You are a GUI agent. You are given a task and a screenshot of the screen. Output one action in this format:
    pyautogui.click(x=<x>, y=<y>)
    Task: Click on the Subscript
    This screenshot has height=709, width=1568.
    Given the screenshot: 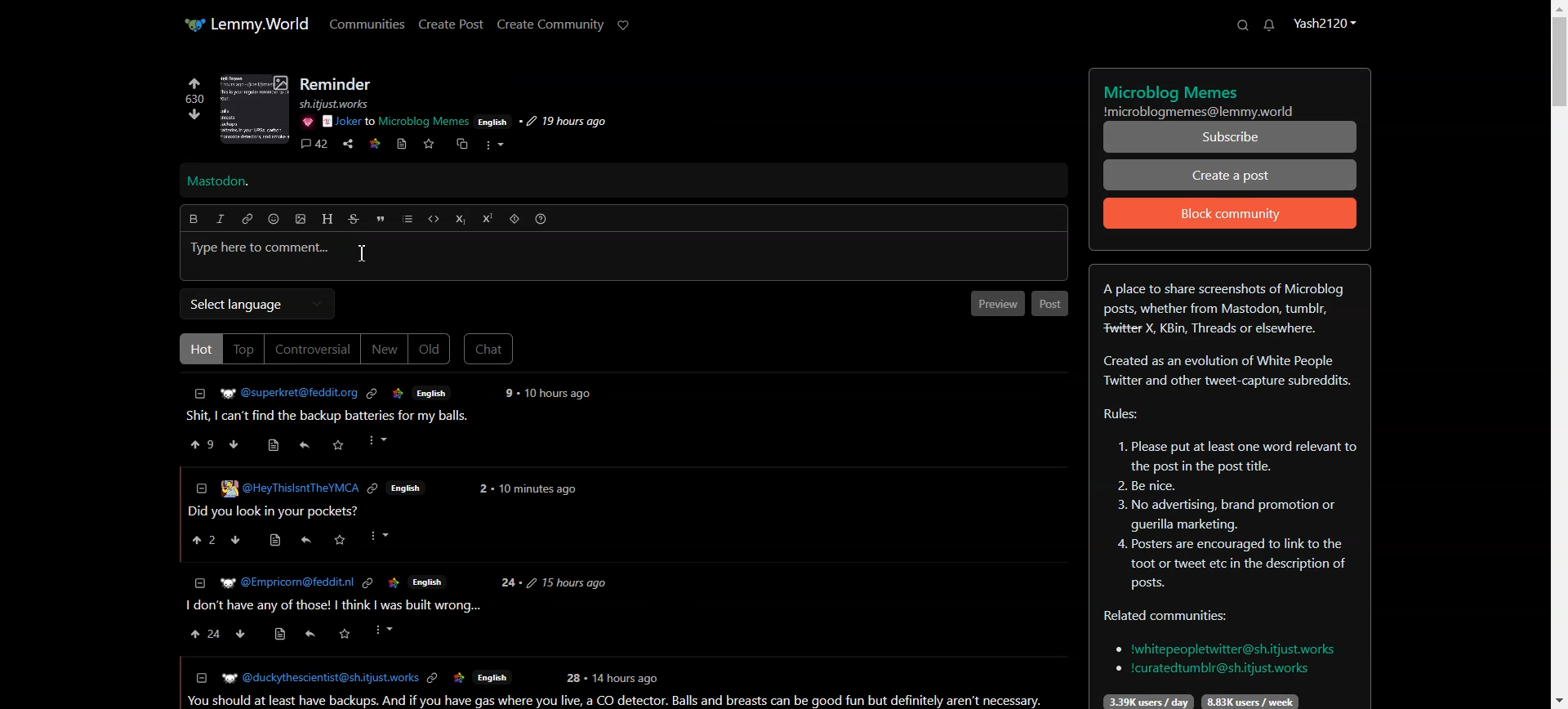 What is the action you would take?
    pyautogui.click(x=460, y=220)
    